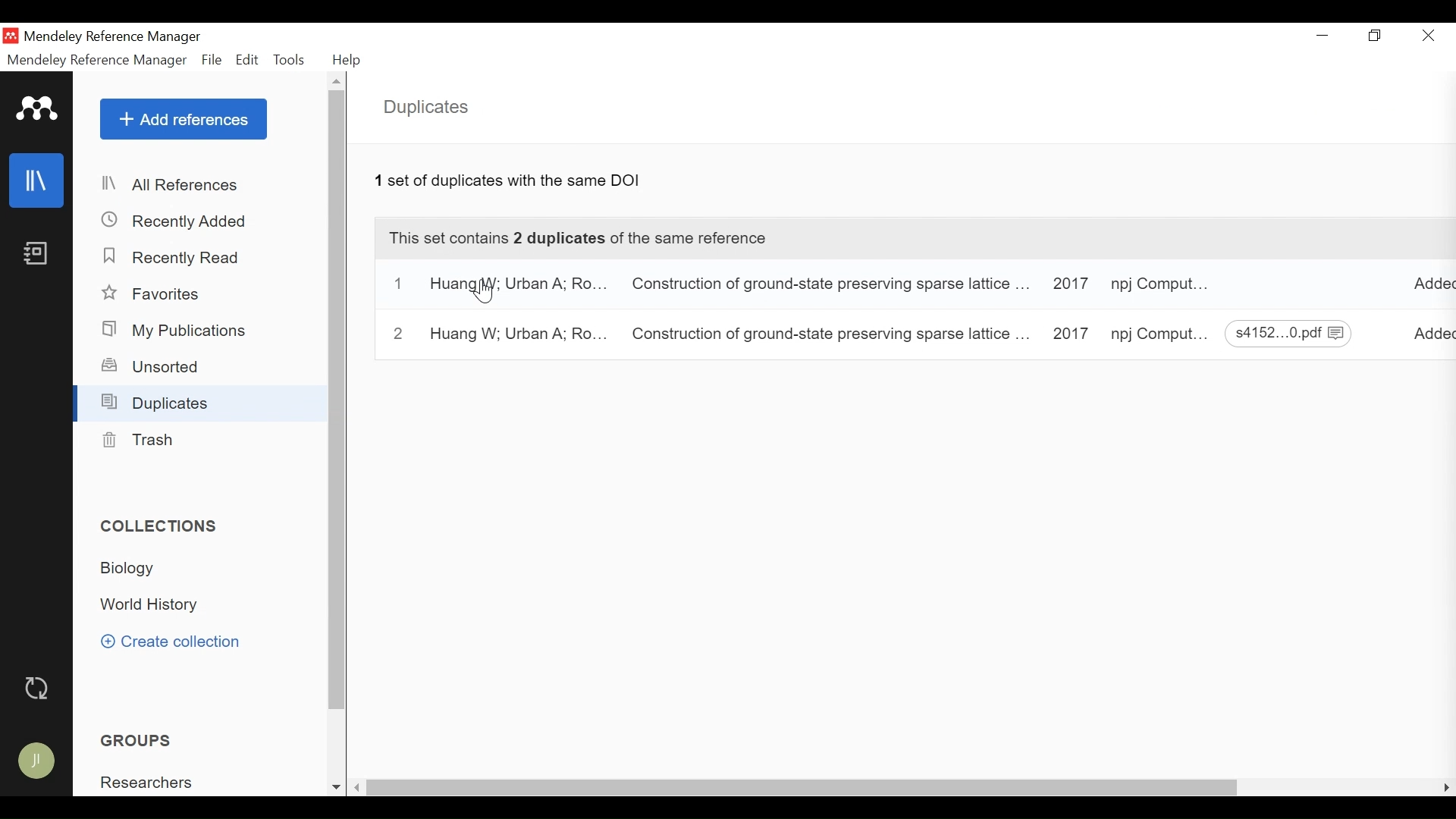  Describe the element at coordinates (135, 439) in the screenshot. I see `Trash` at that location.